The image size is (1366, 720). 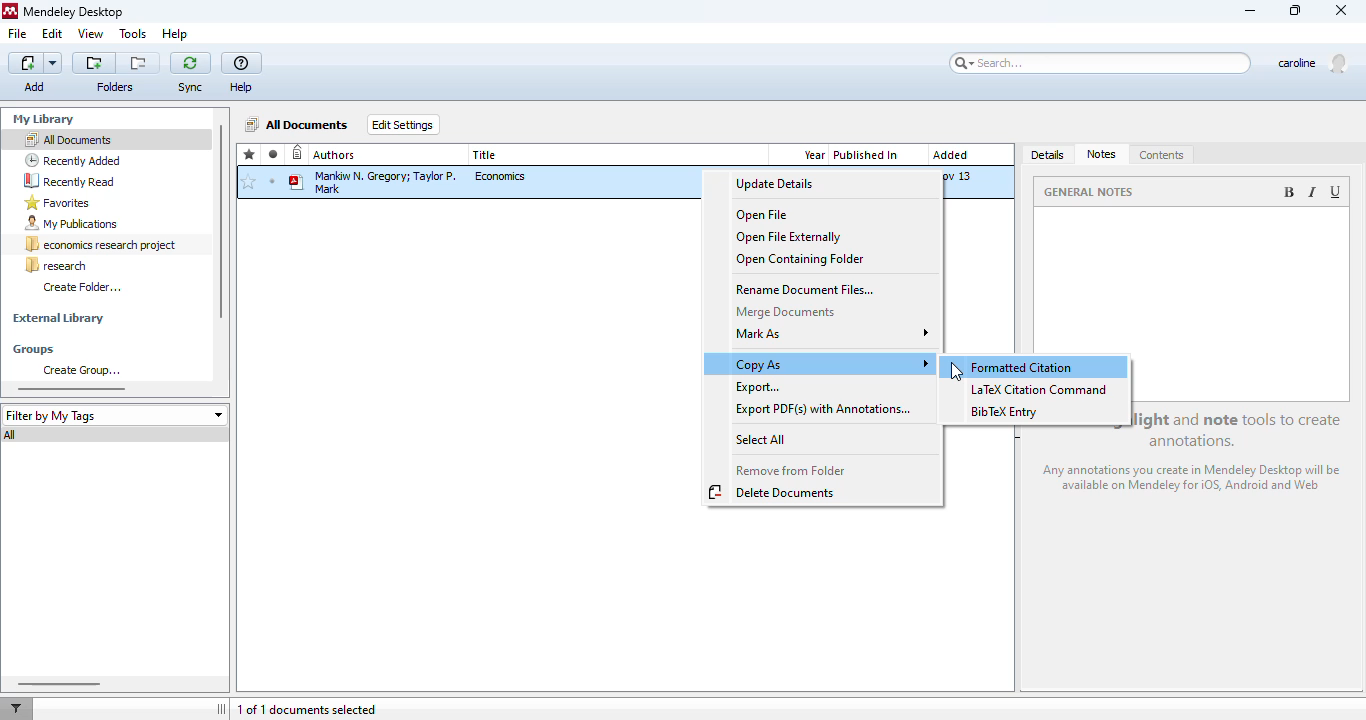 I want to click on LaTex citation command, so click(x=1042, y=389).